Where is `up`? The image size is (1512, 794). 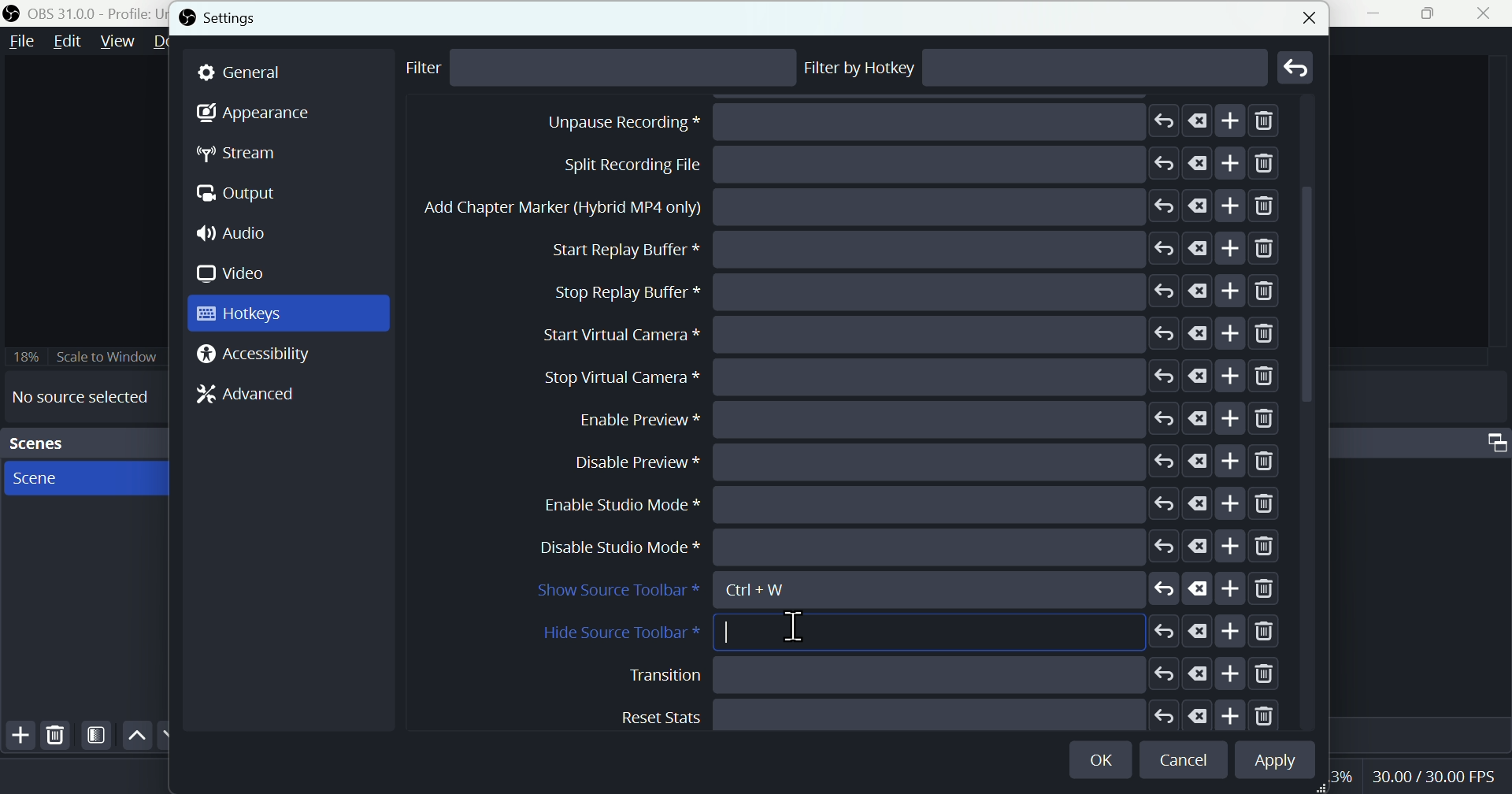
up is located at coordinates (136, 736).